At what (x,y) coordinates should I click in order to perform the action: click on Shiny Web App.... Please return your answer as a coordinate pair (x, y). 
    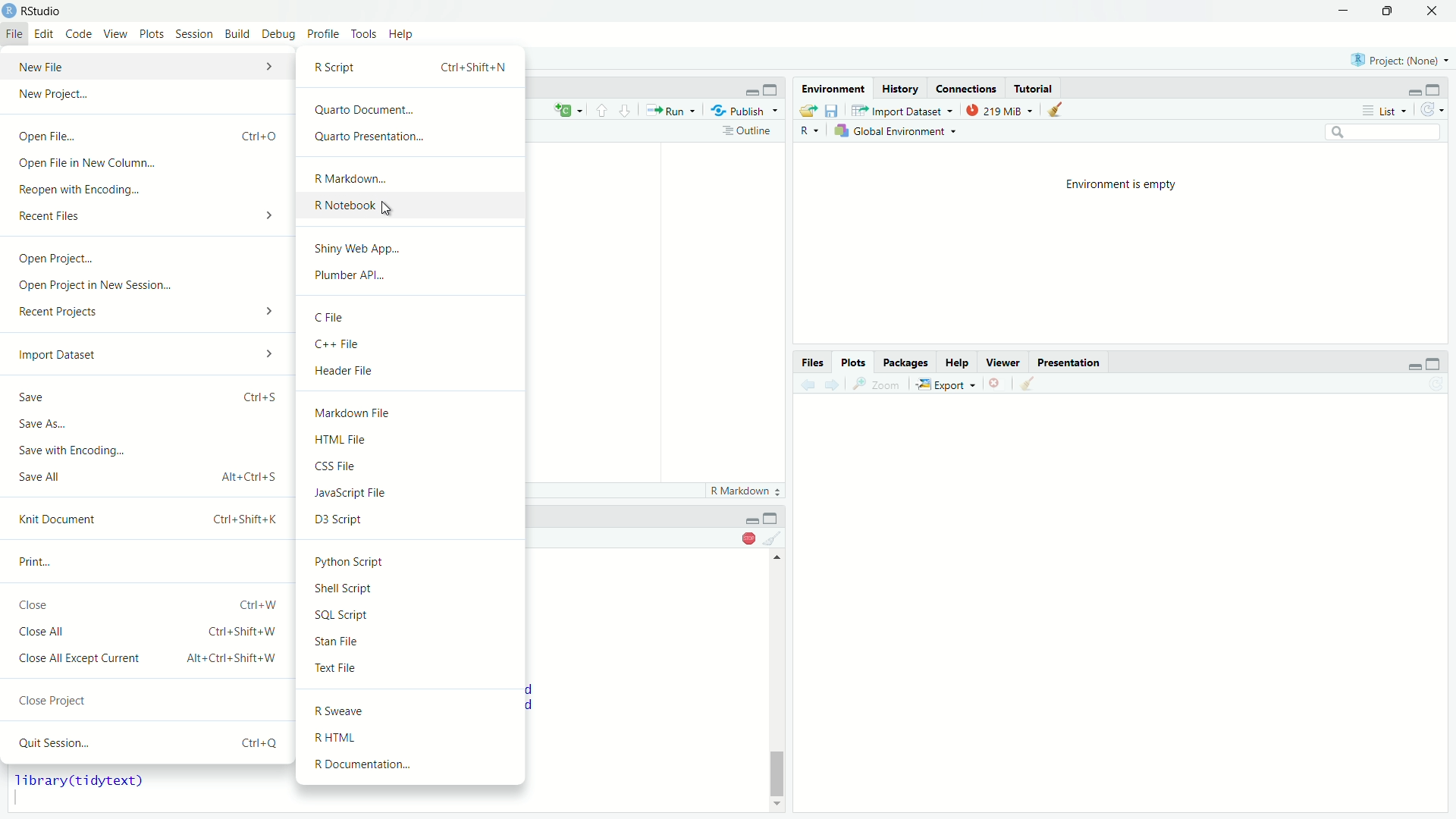
    Looking at the image, I should click on (412, 248).